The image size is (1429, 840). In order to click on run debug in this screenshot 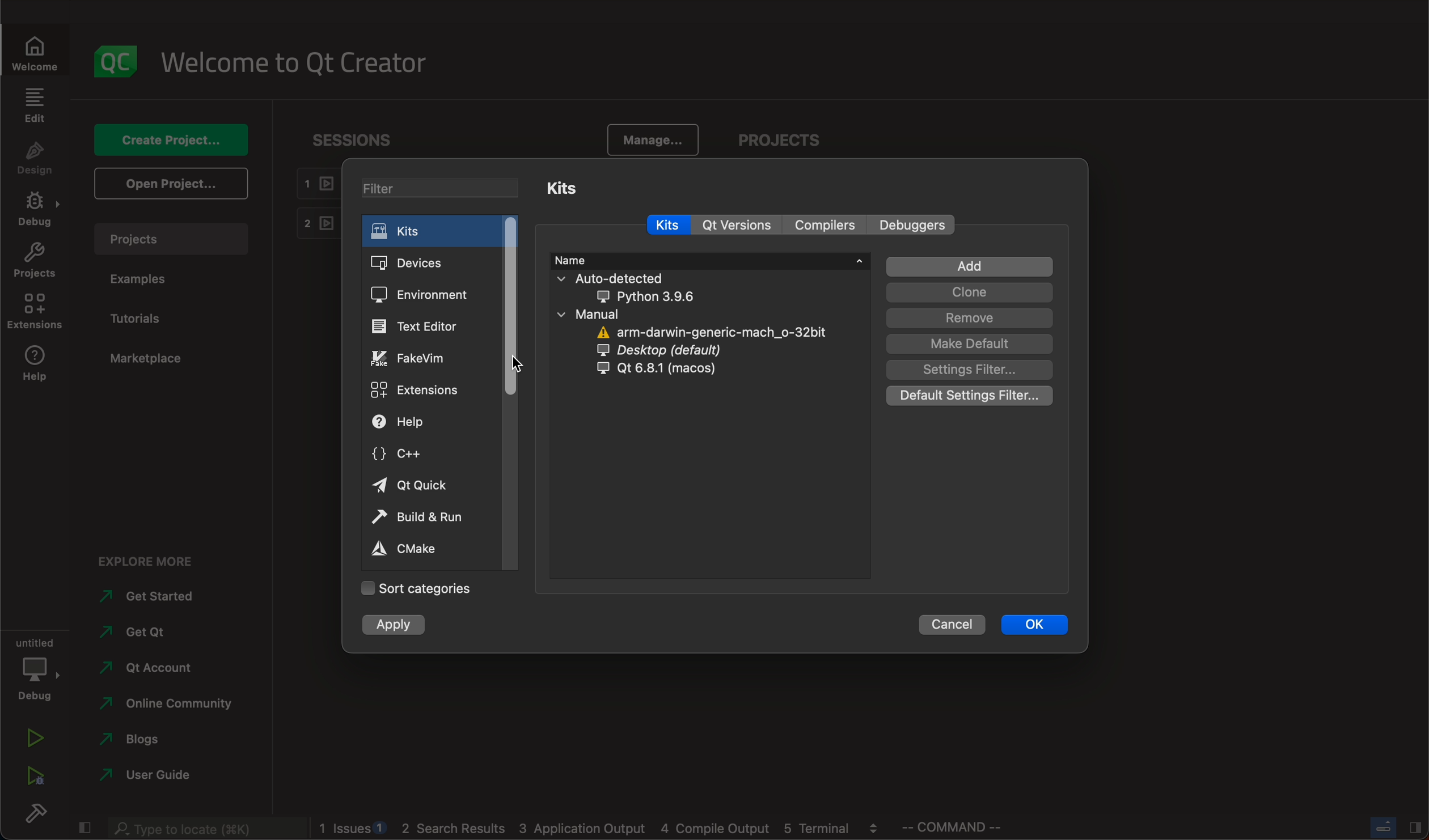, I will do `click(32, 779)`.